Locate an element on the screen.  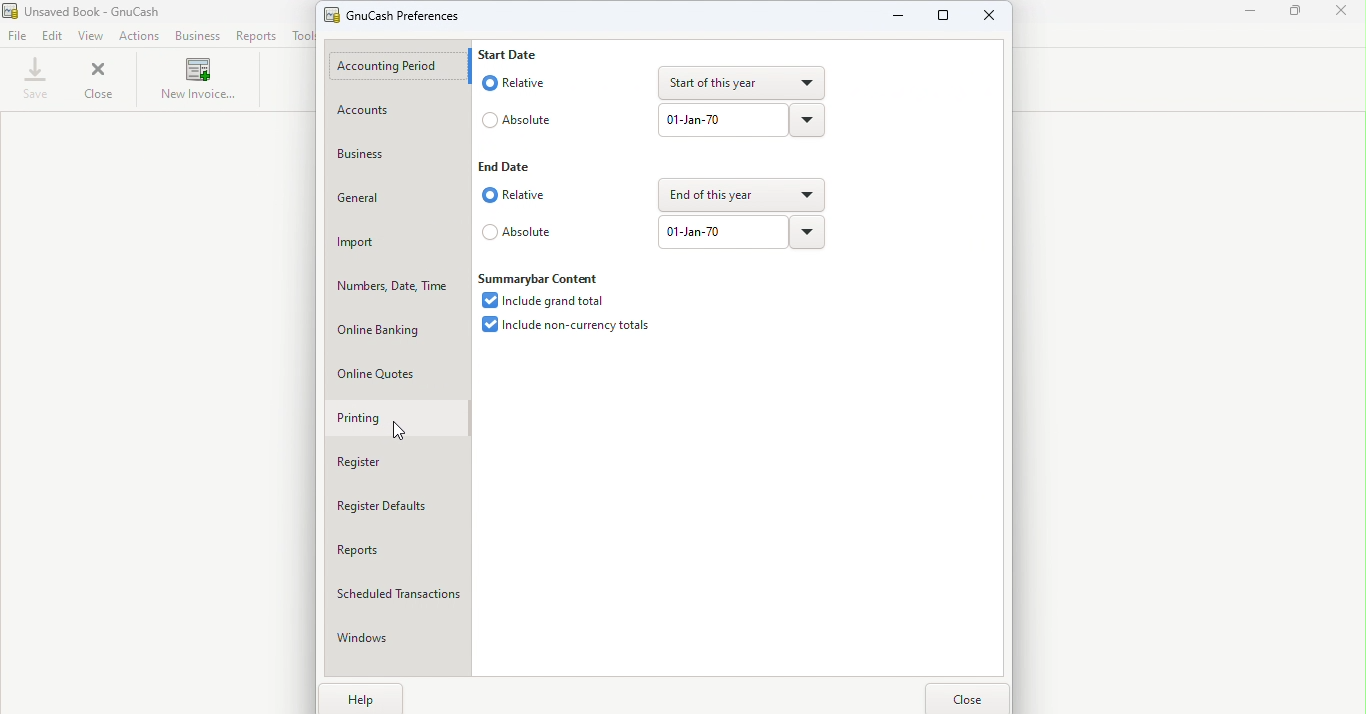
Absolute is located at coordinates (519, 116).